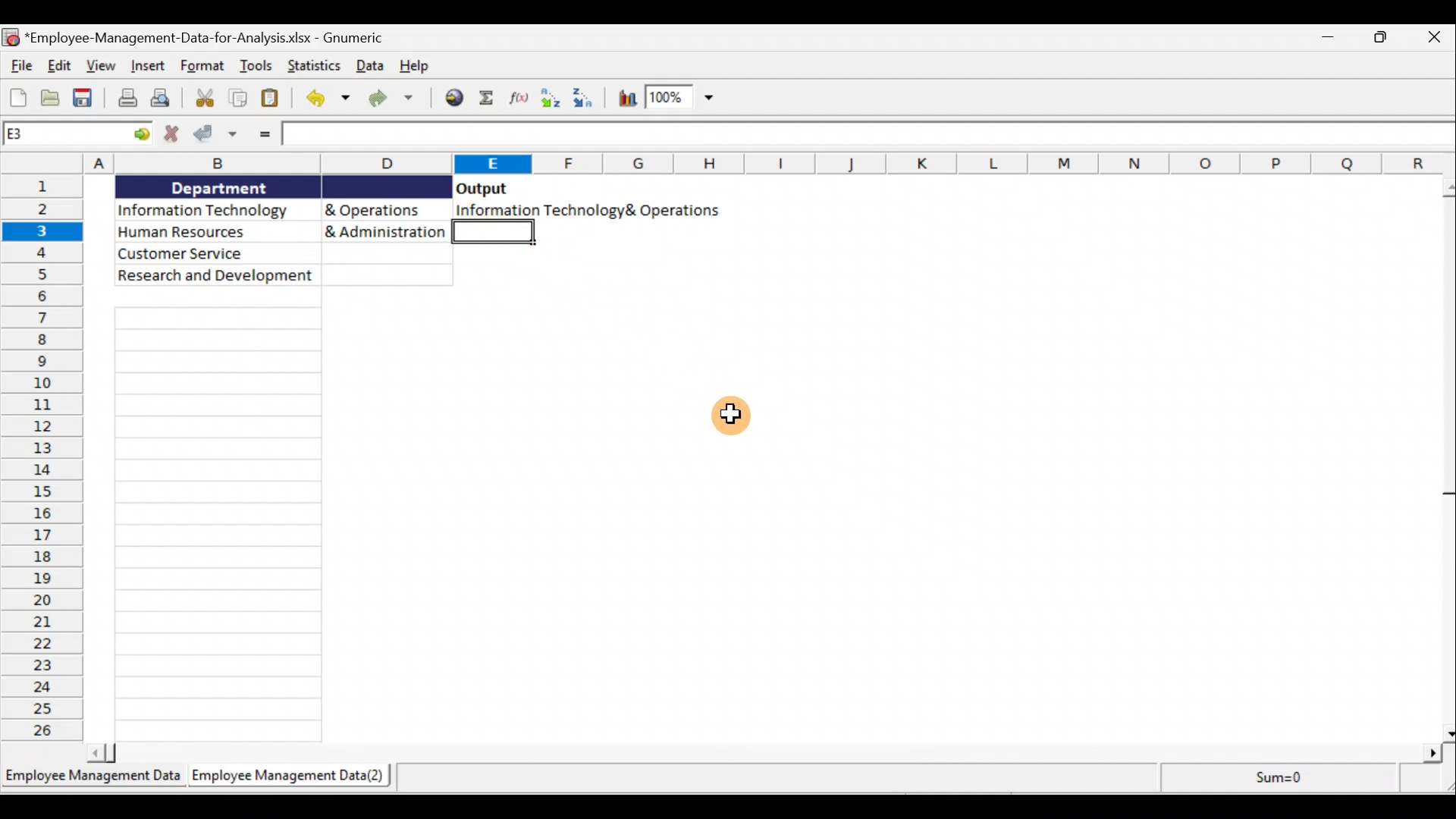 This screenshot has height=819, width=1456. What do you see at coordinates (212, 39) in the screenshot?
I see `Document name` at bounding box center [212, 39].